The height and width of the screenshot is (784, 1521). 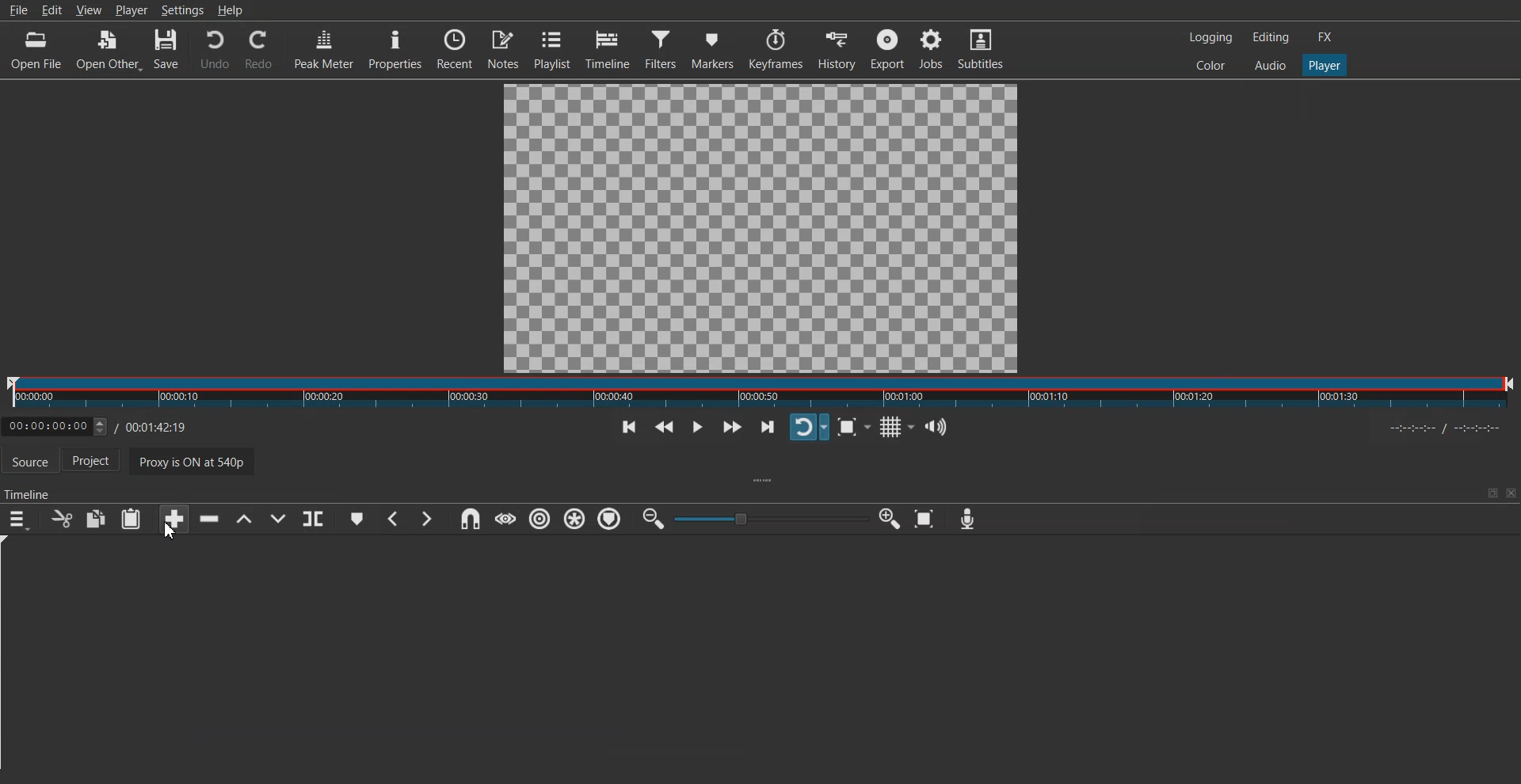 I want to click on Filters, so click(x=661, y=48).